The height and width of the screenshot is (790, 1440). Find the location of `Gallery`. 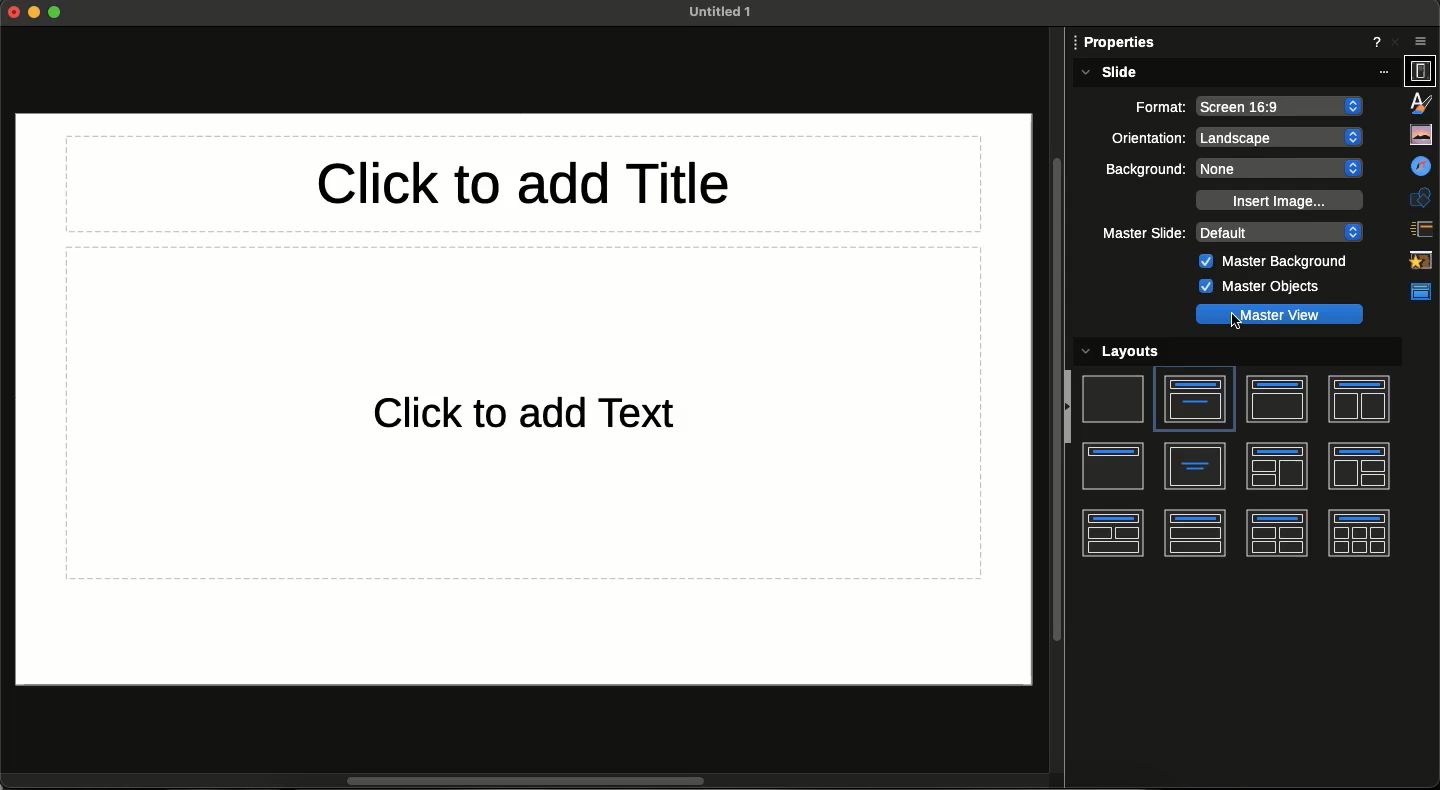

Gallery is located at coordinates (1420, 136).